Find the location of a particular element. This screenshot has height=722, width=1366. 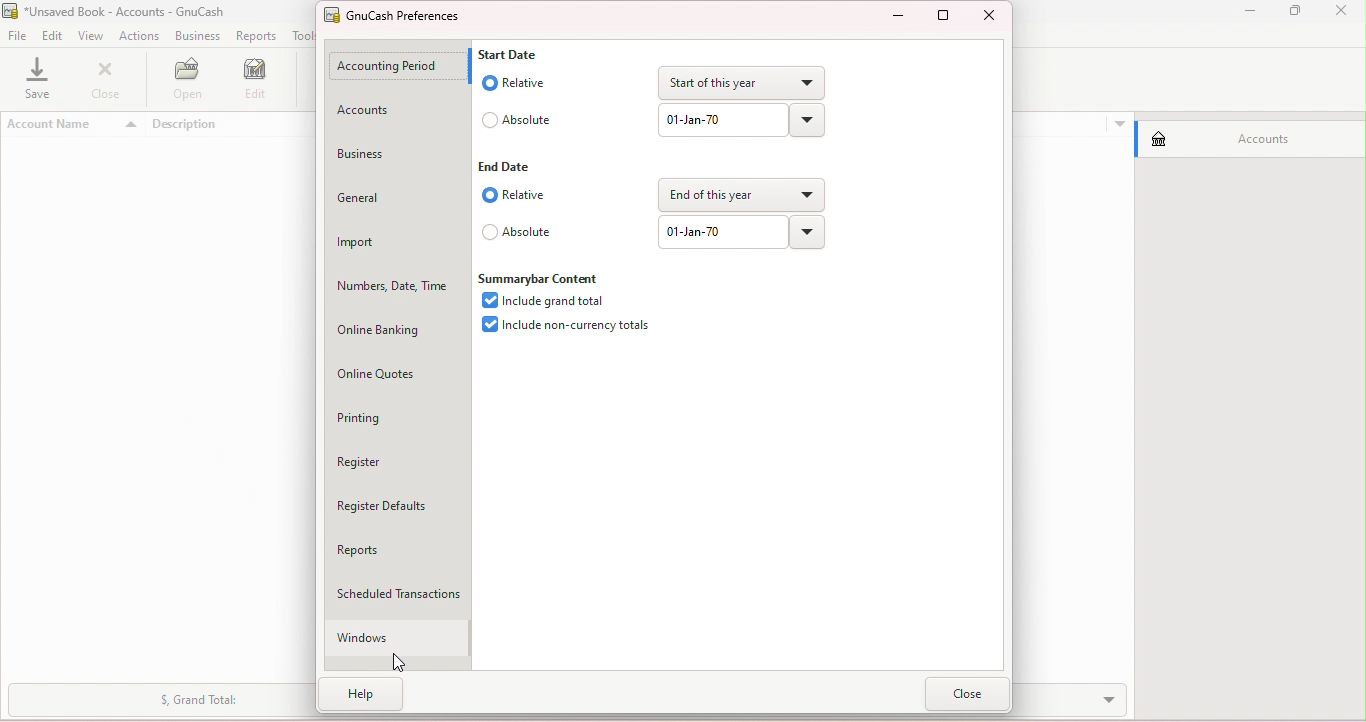

Include grand total is located at coordinates (545, 300).